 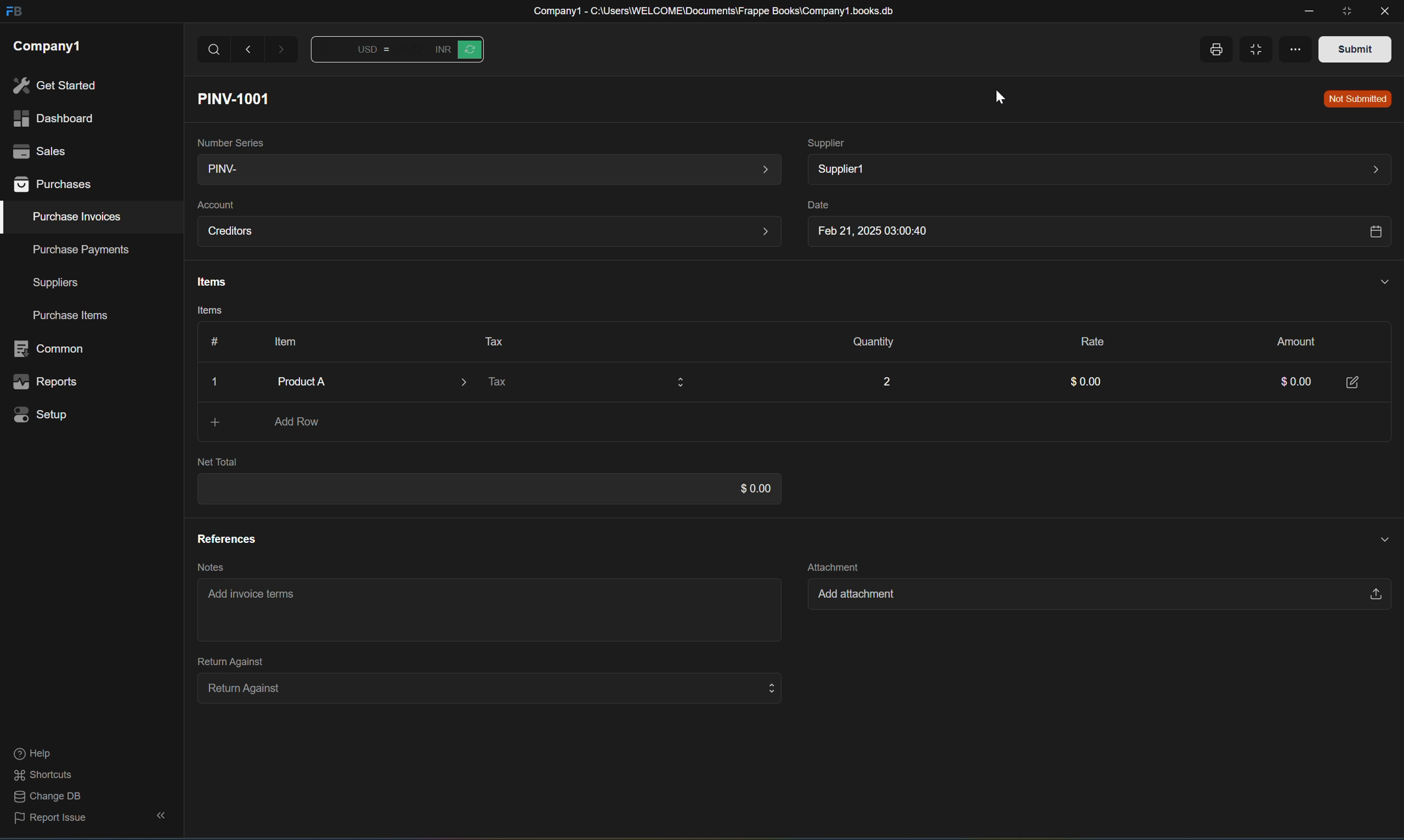 I want to click on Number Series, so click(x=228, y=140).